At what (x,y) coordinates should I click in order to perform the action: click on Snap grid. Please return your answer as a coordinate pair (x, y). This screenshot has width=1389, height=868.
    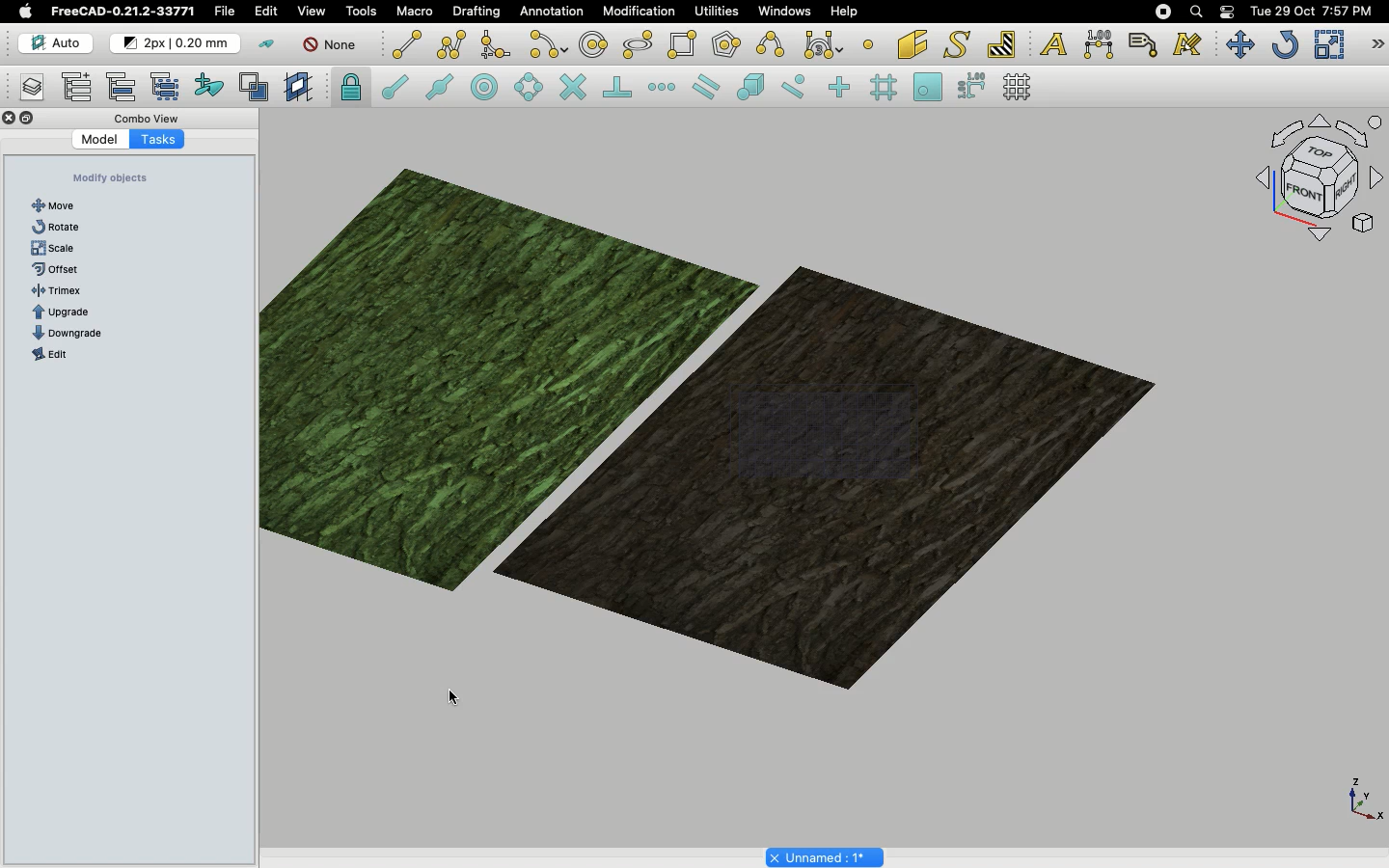
    Looking at the image, I should click on (885, 88).